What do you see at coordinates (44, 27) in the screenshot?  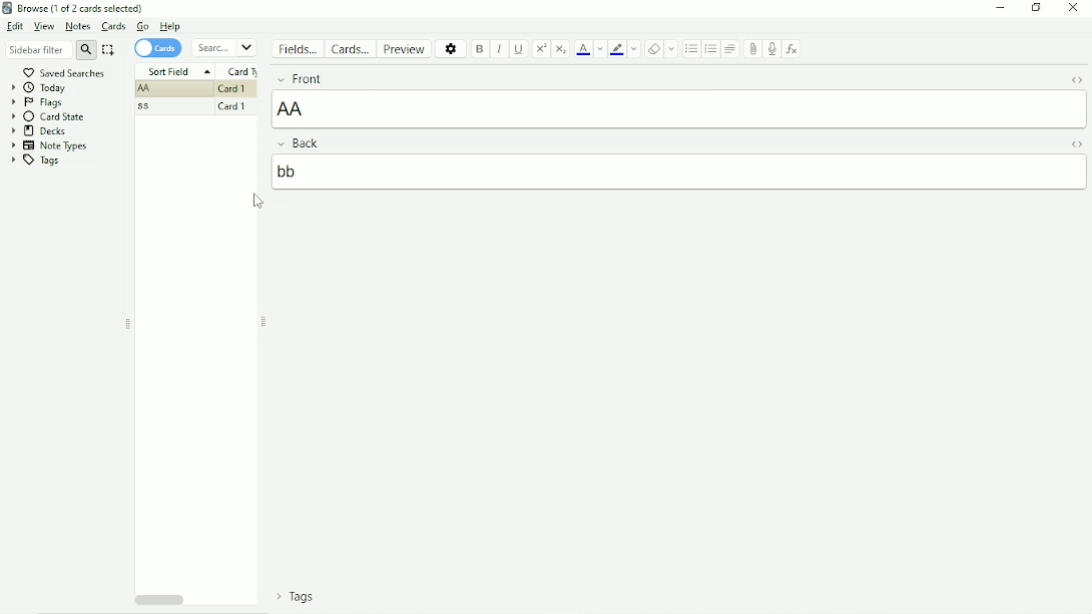 I see `View` at bounding box center [44, 27].